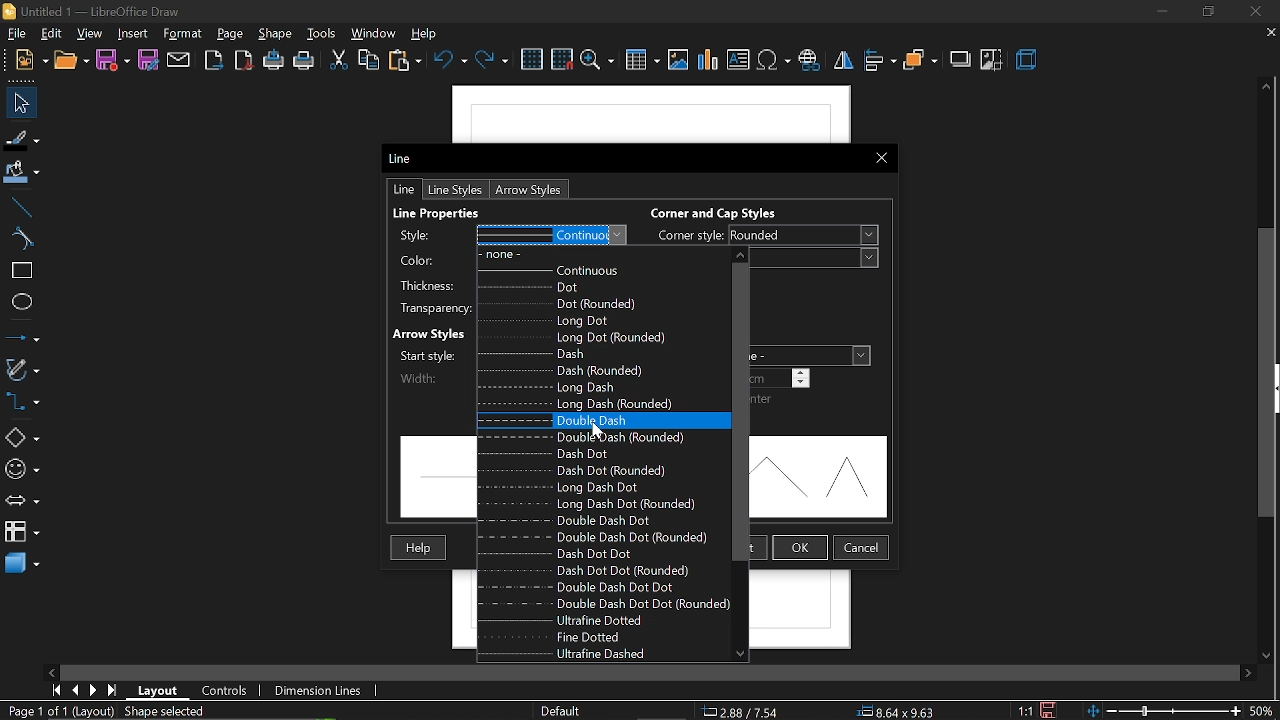 Image resolution: width=1280 pixels, height=720 pixels. Describe the element at coordinates (21, 272) in the screenshot. I see `rectangle` at that location.